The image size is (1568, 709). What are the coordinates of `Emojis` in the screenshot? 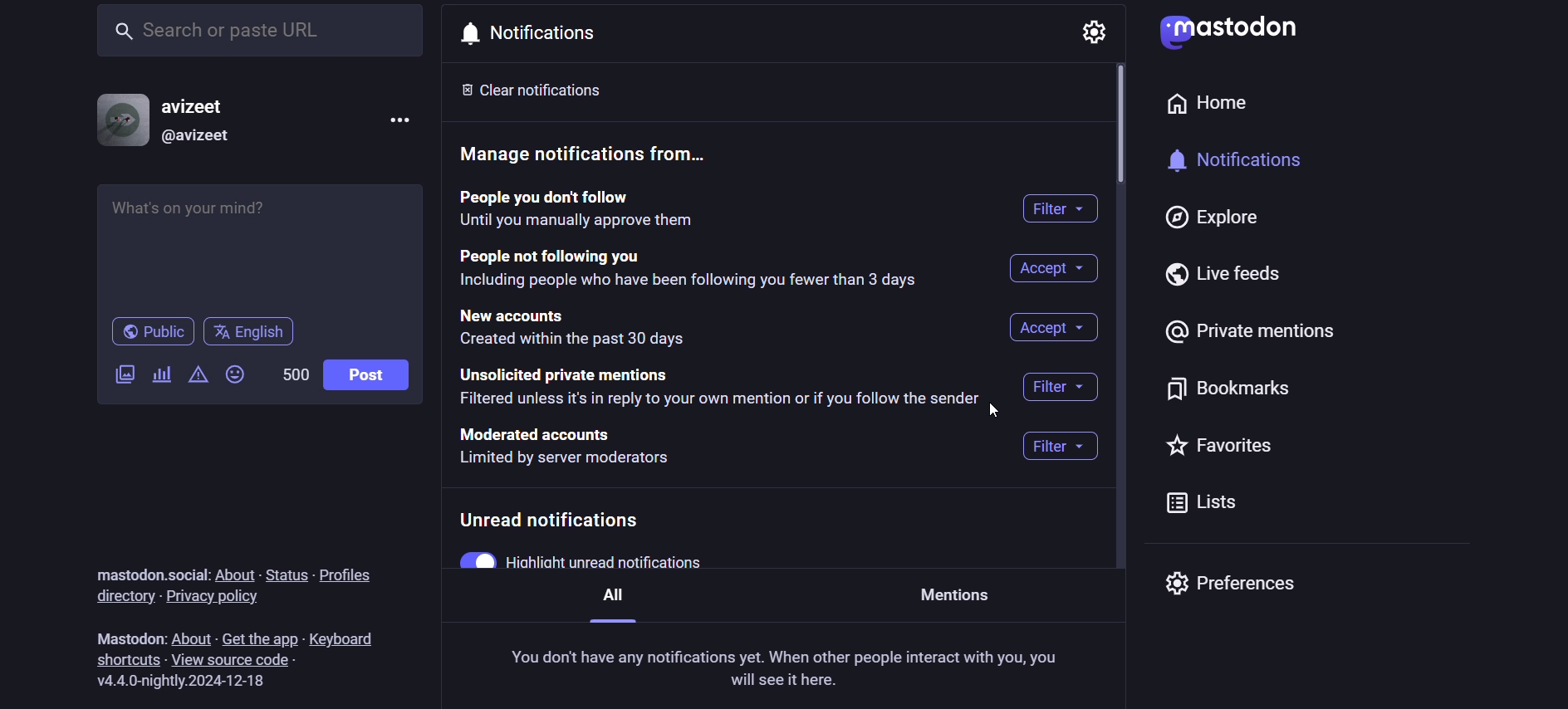 It's located at (233, 374).